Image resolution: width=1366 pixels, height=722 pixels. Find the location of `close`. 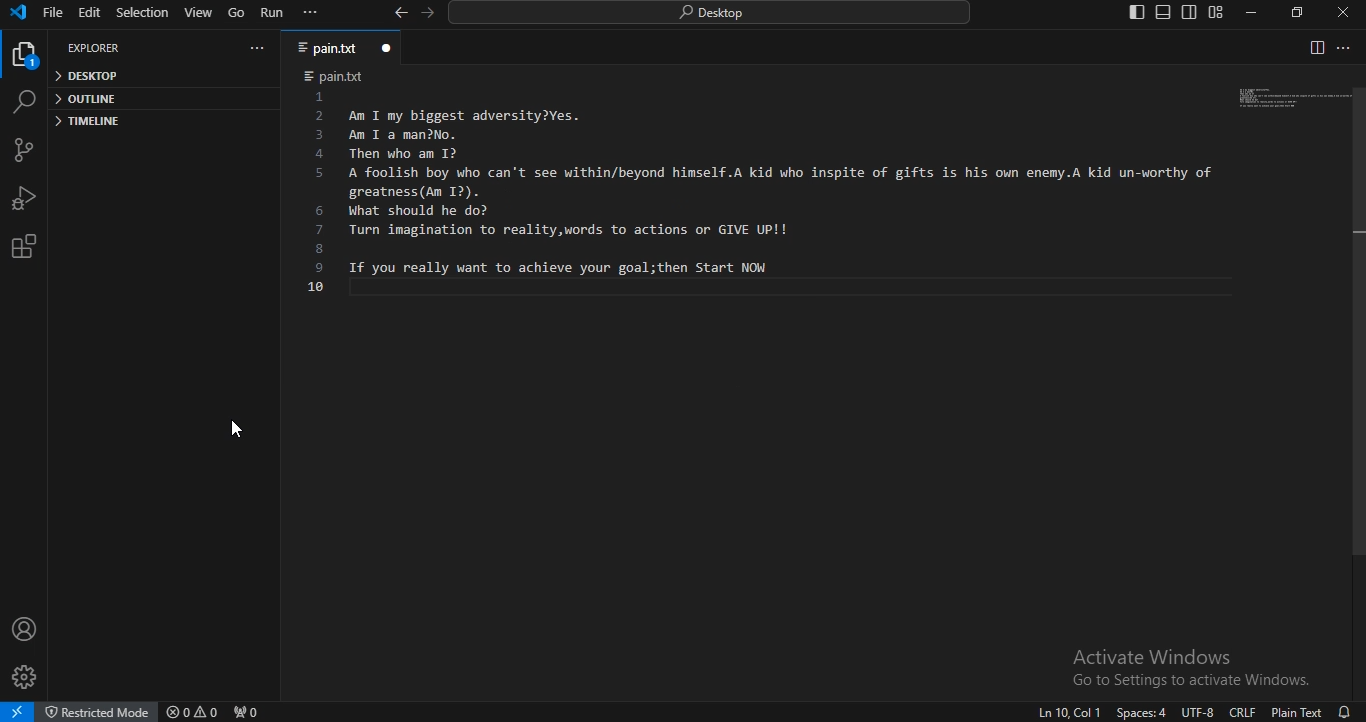

close is located at coordinates (1341, 12).